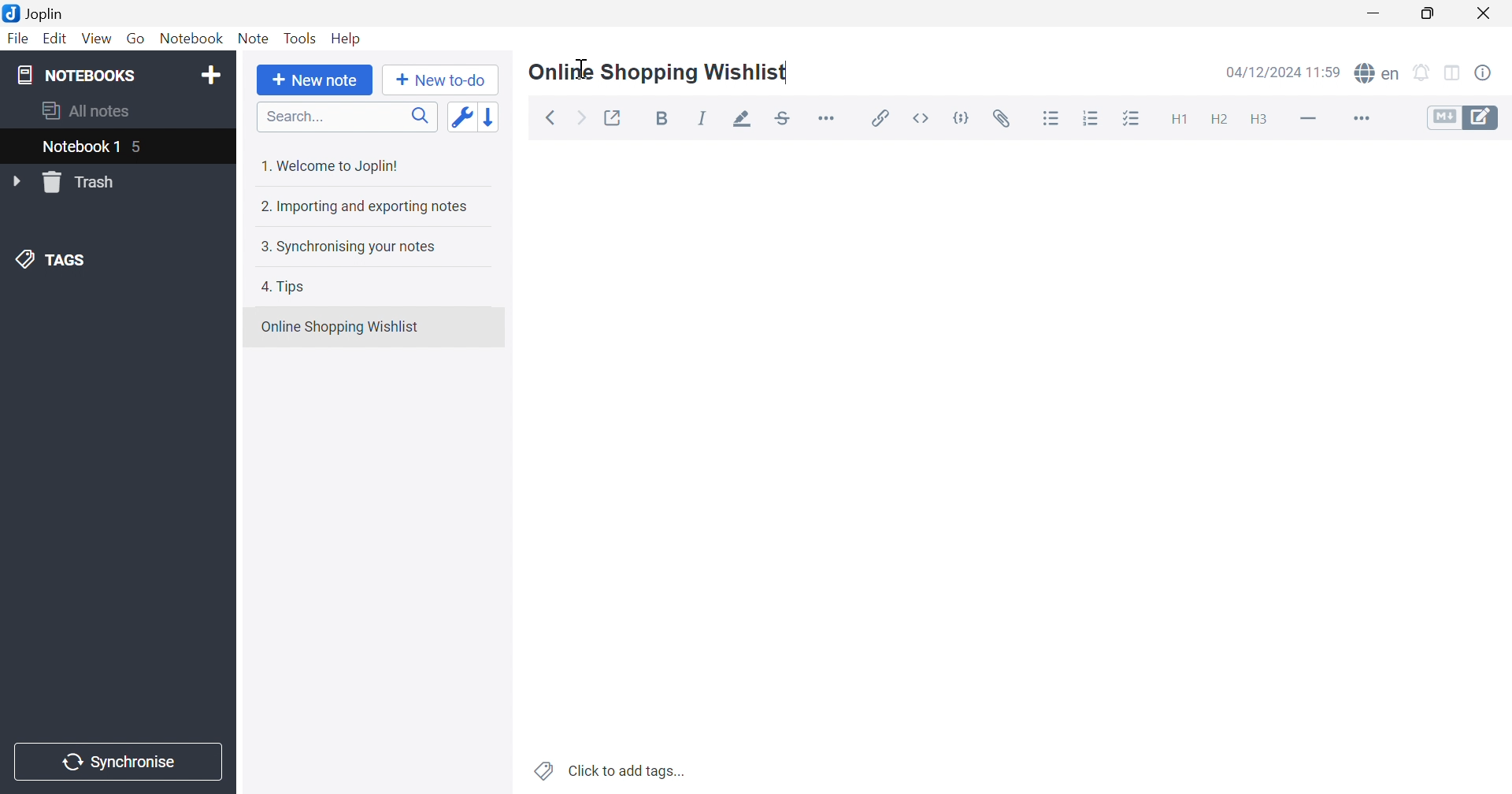 The image size is (1512, 794). What do you see at coordinates (743, 121) in the screenshot?
I see `Highlight` at bounding box center [743, 121].